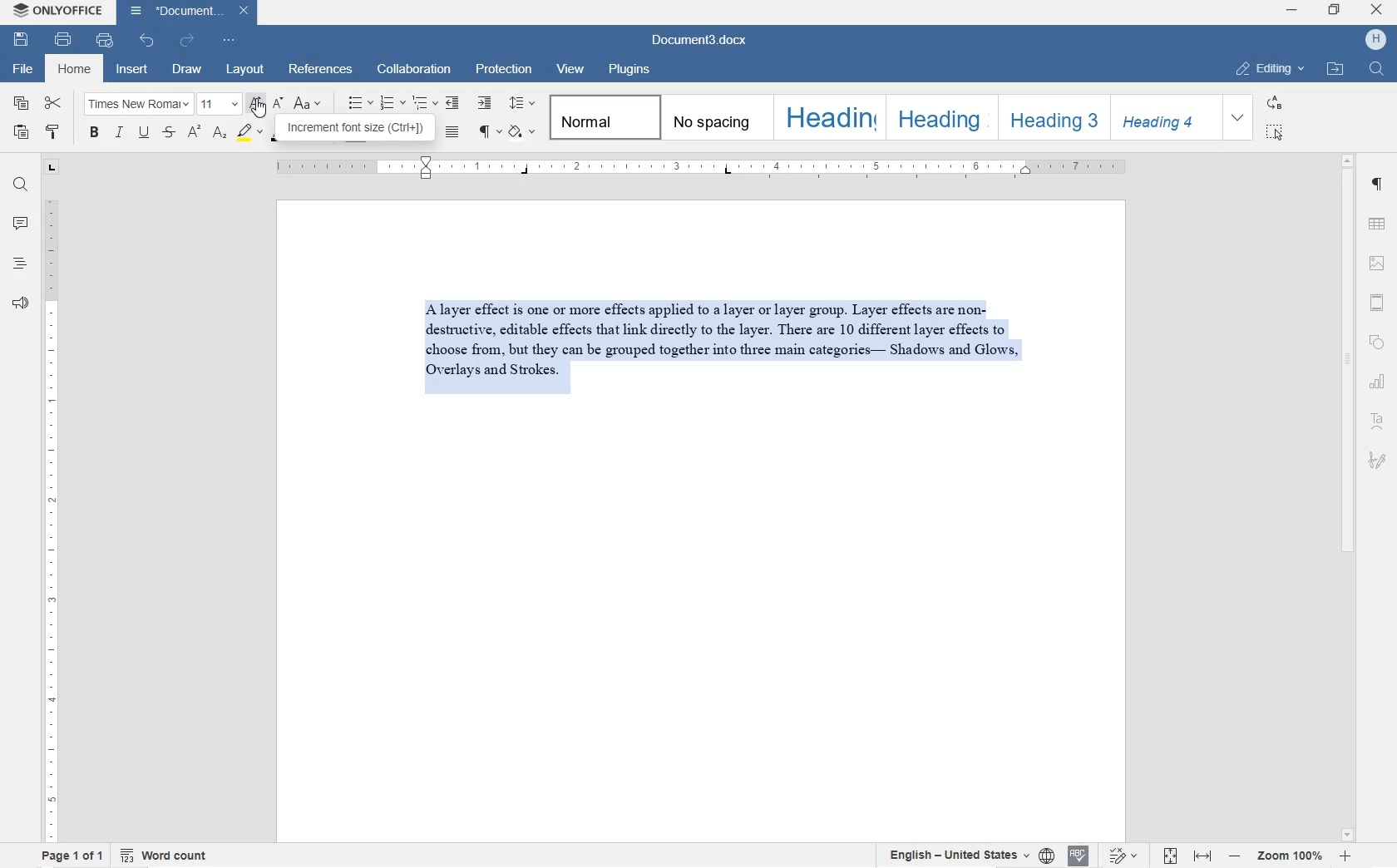 The image size is (1397, 868). I want to click on ruler, so click(702, 168).